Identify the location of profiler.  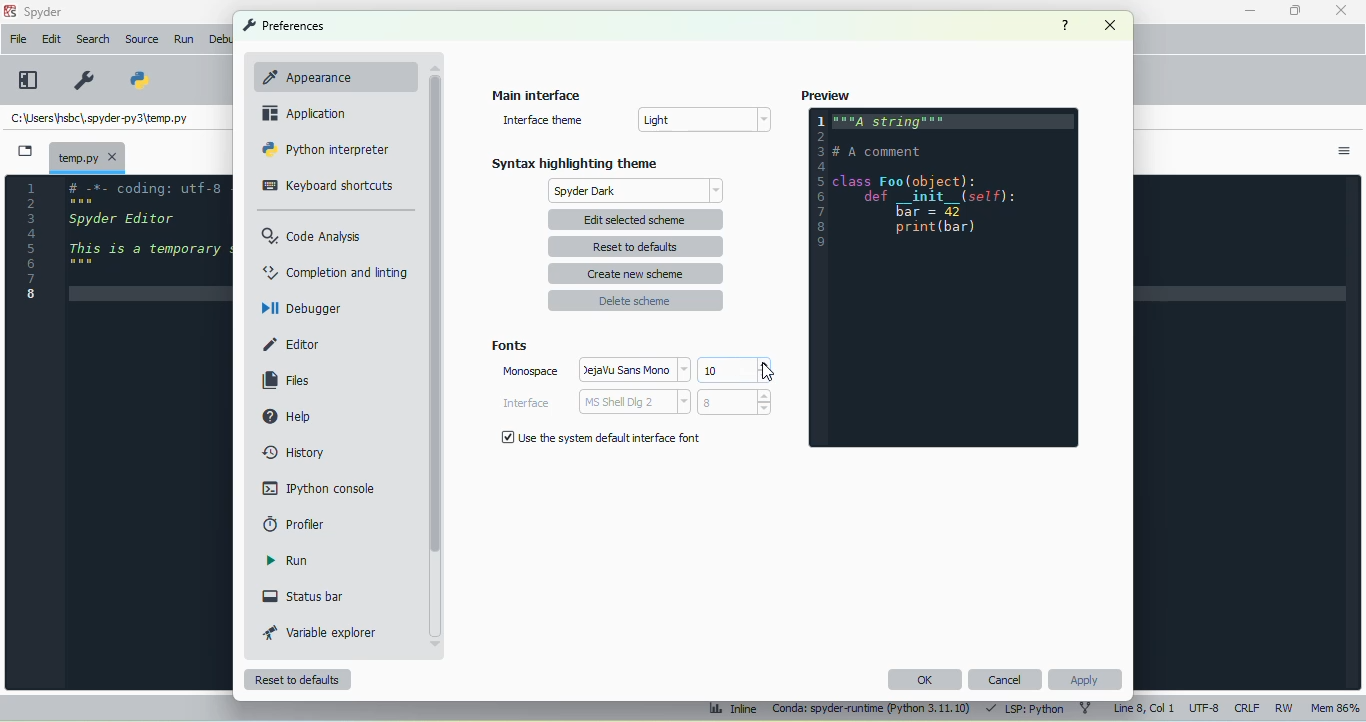
(295, 524).